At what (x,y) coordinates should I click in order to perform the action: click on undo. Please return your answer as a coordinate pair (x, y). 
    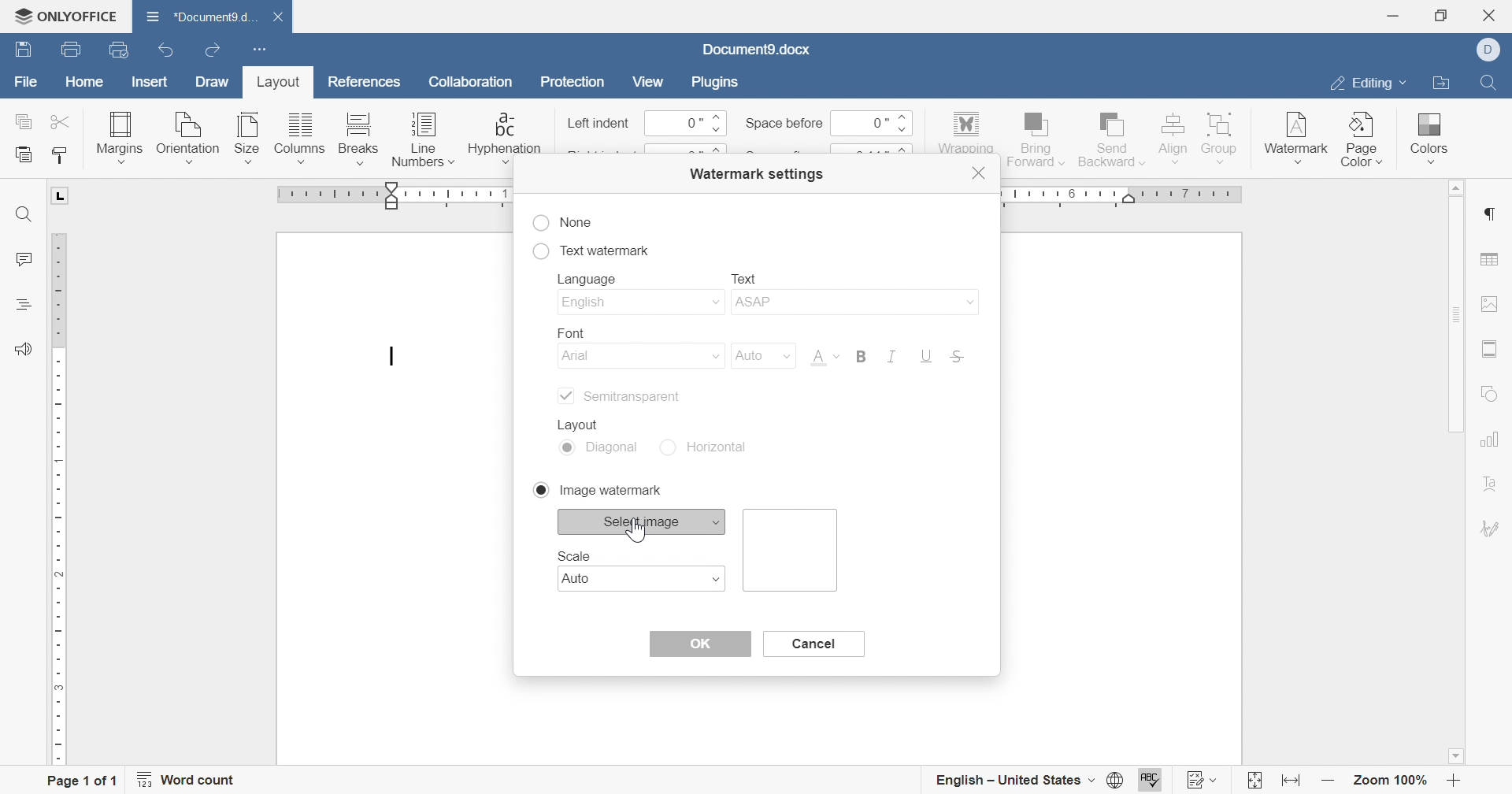
    Looking at the image, I should click on (171, 52).